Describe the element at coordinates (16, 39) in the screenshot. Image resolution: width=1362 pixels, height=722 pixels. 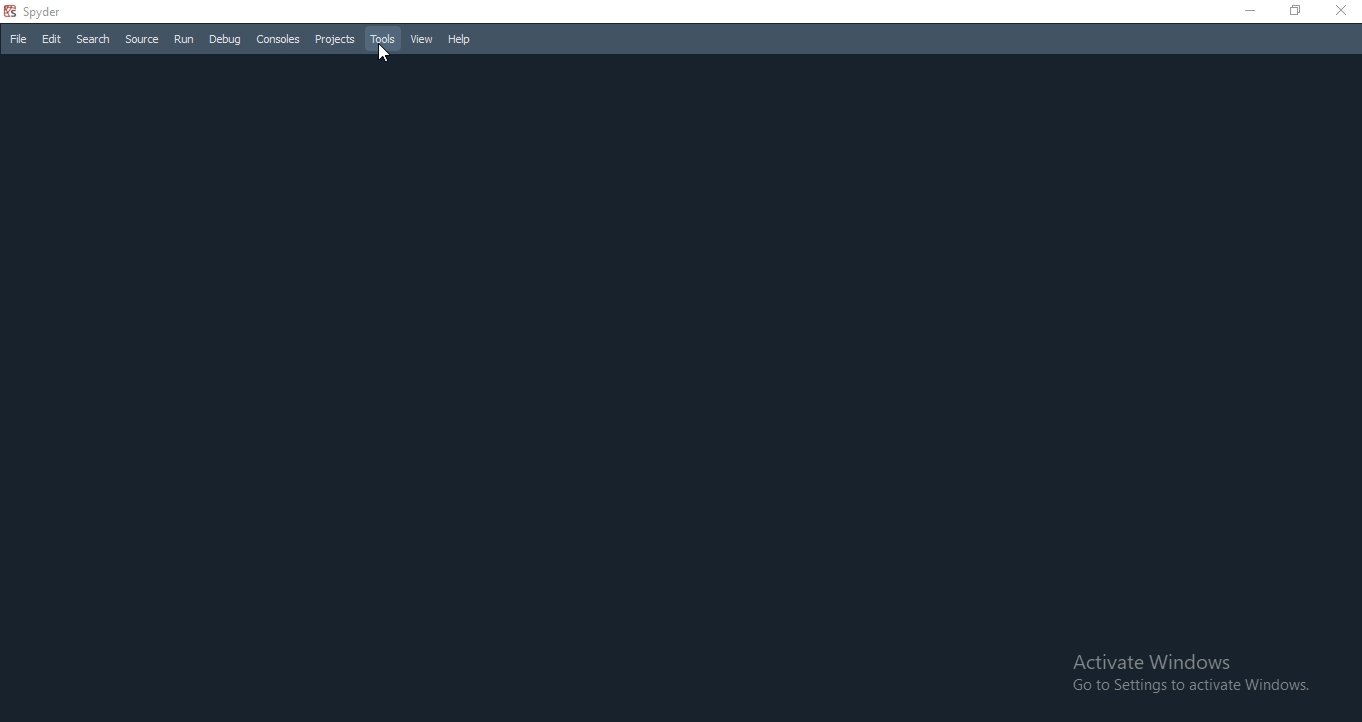
I see `File ` at that location.